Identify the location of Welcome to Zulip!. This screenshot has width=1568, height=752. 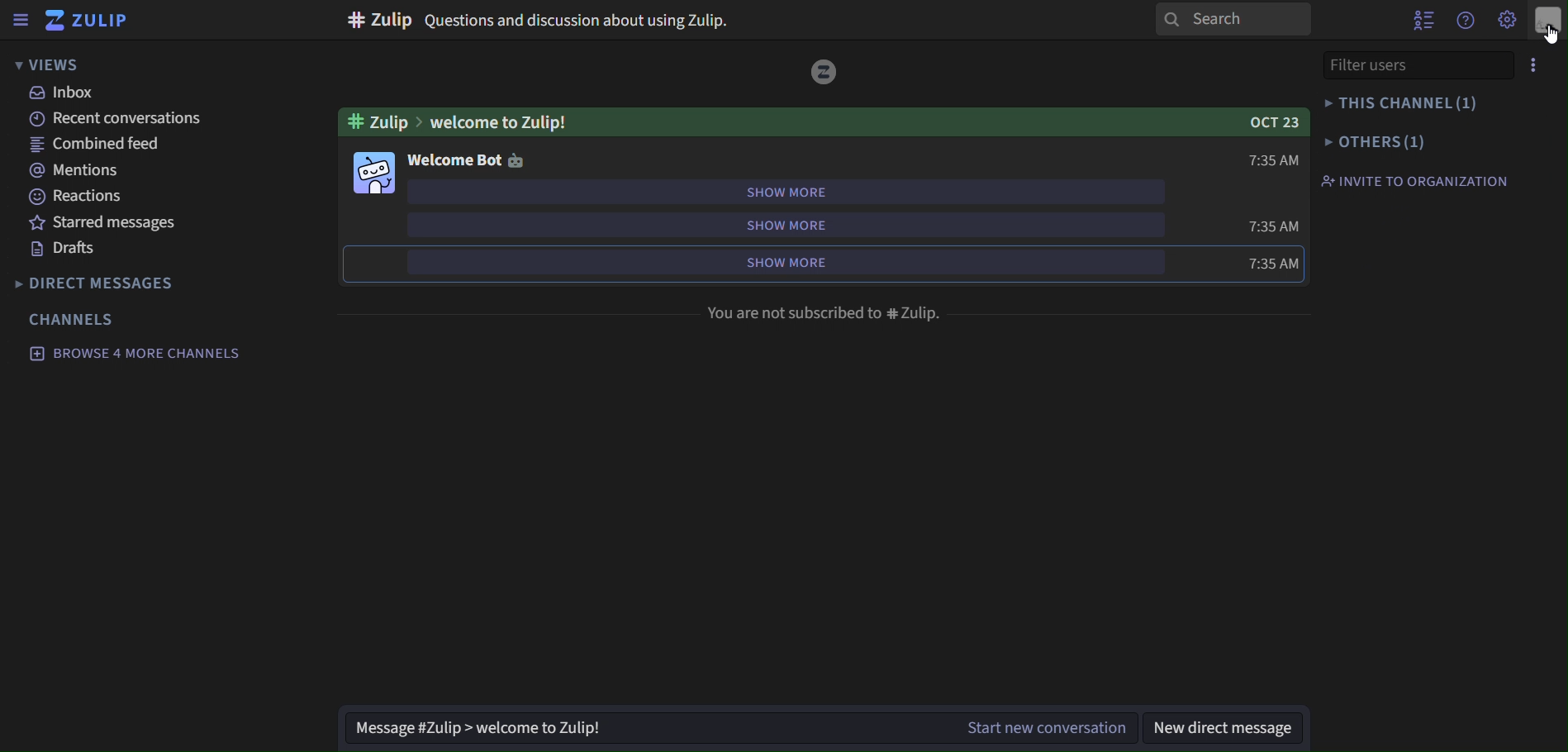
(502, 121).